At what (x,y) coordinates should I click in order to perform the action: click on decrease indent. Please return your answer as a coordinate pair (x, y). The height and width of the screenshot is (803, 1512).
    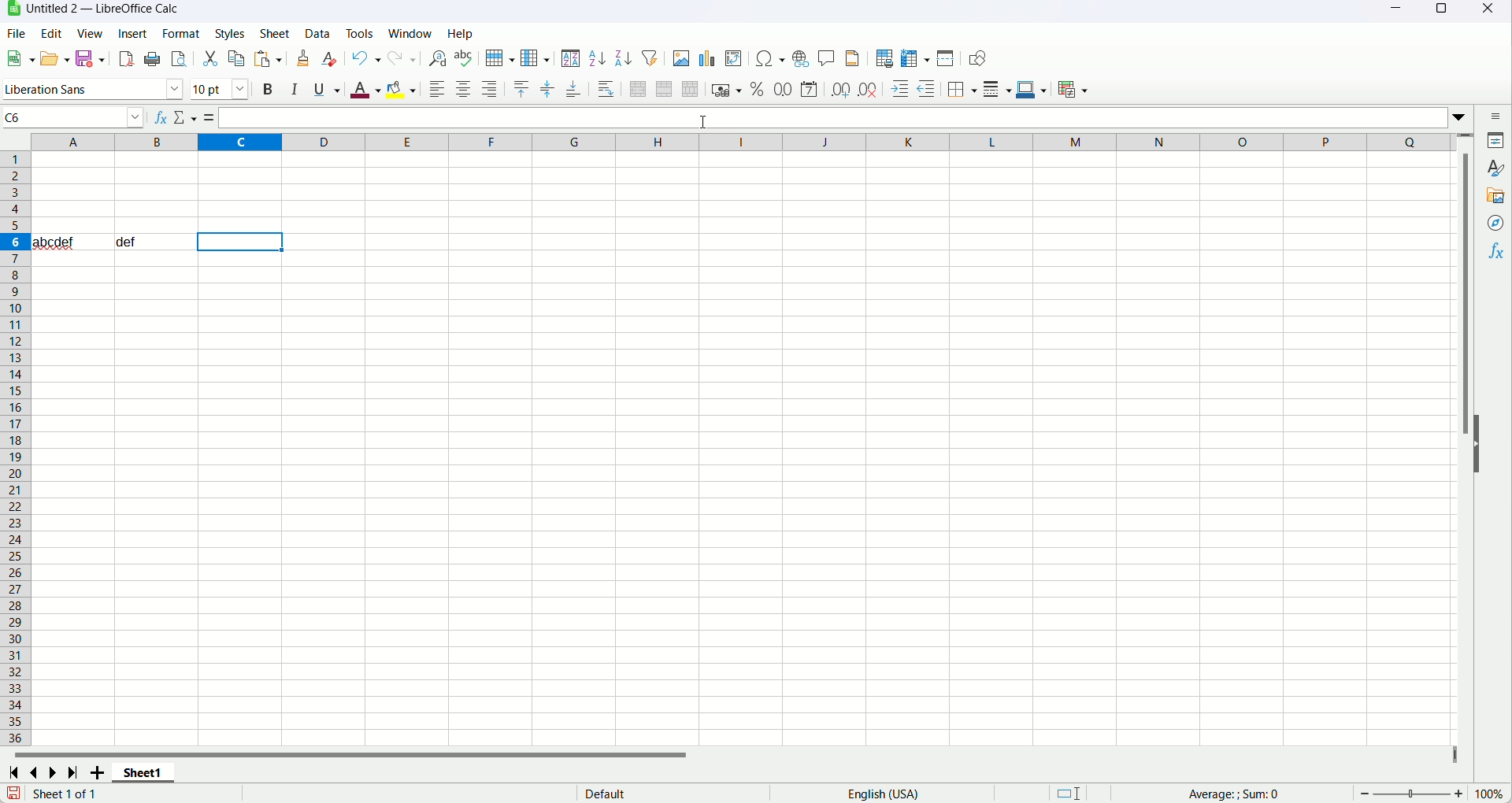
    Looking at the image, I should click on (928, 88).